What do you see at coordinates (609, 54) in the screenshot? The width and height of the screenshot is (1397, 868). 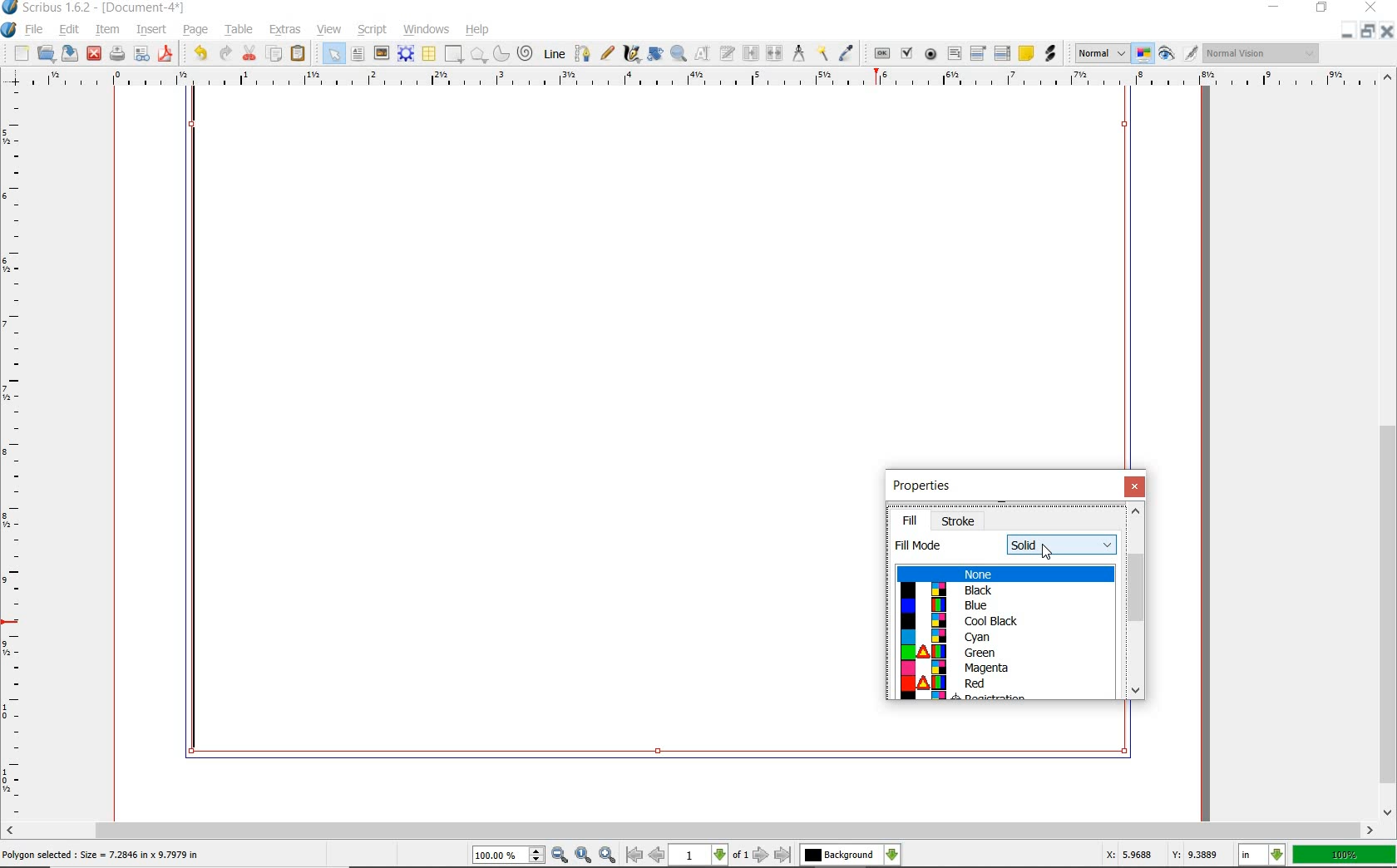 I see `freehand line` at bounding box center [609, 54].